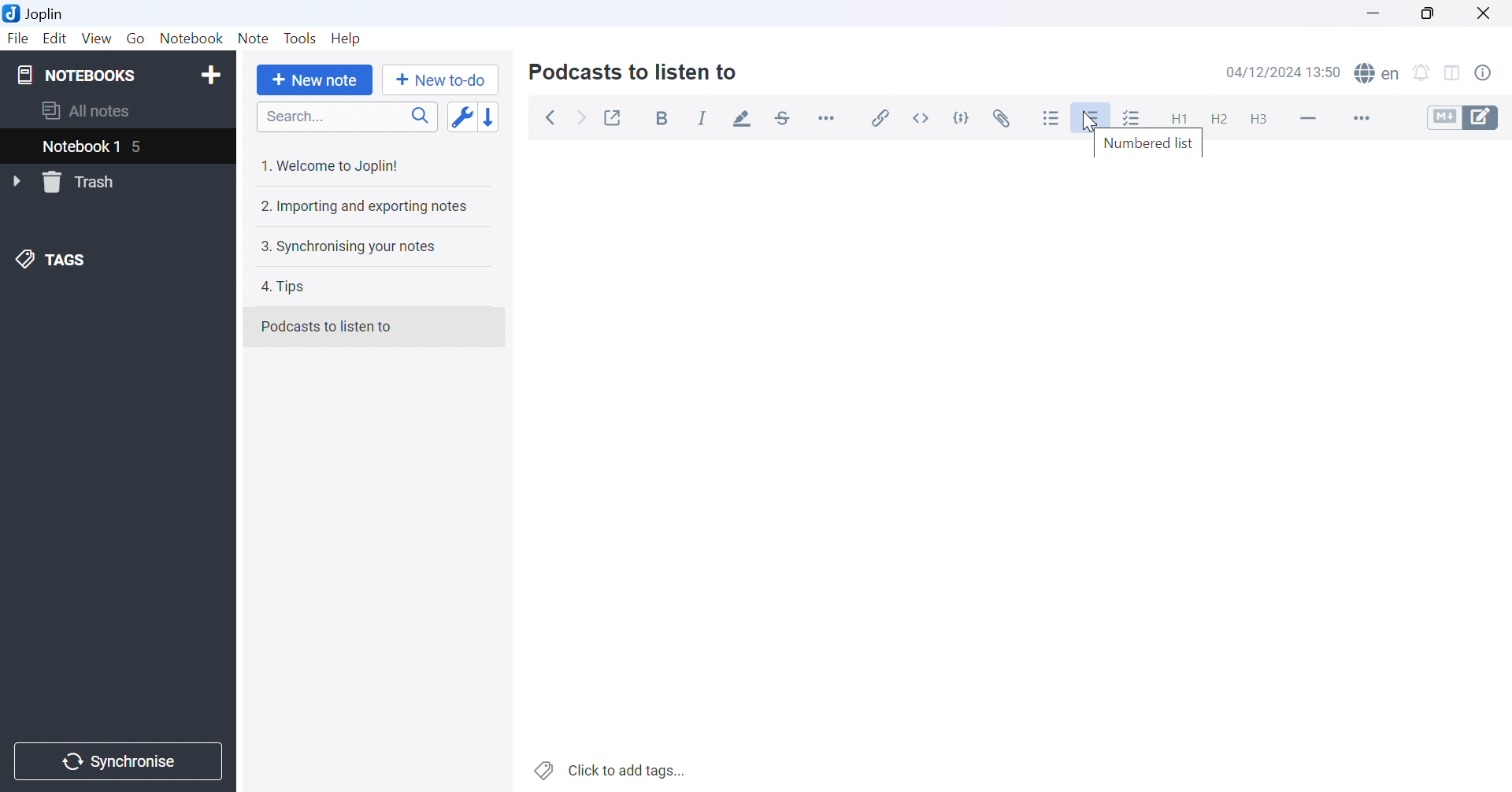 This screenshot has height=792, width=1512. I want to click on Go, so click(135, 38).